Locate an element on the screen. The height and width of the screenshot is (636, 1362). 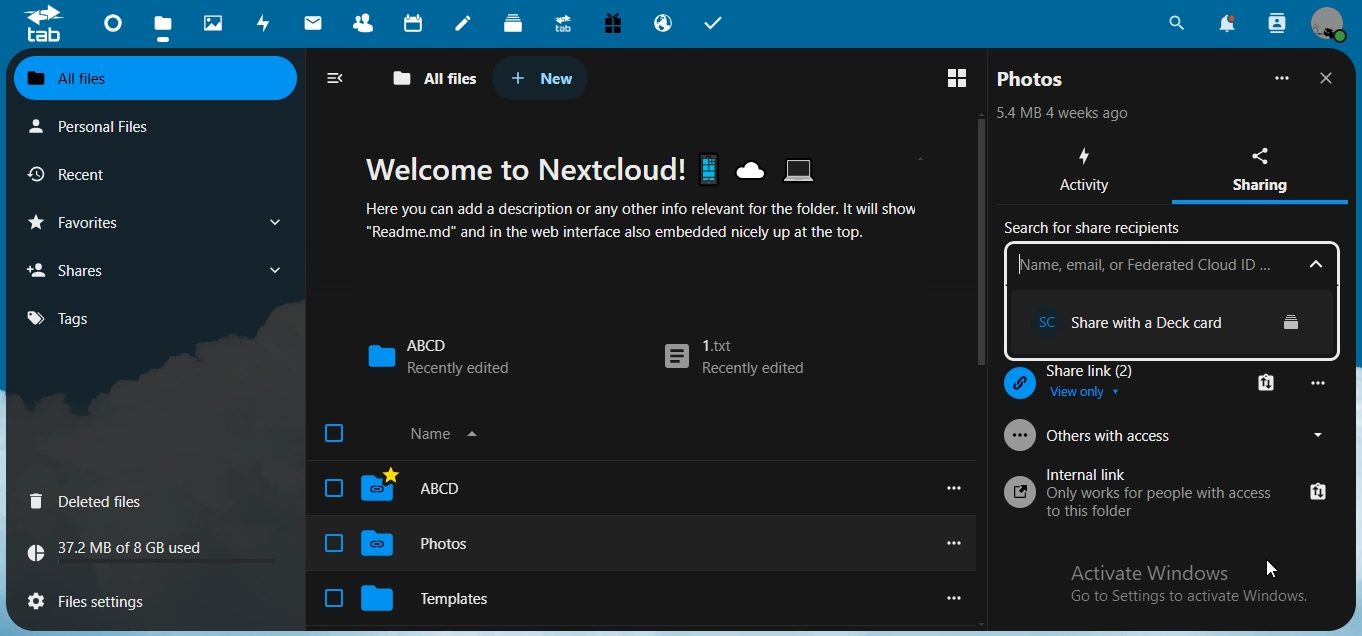
tasks is located at coordinates (715, 24).